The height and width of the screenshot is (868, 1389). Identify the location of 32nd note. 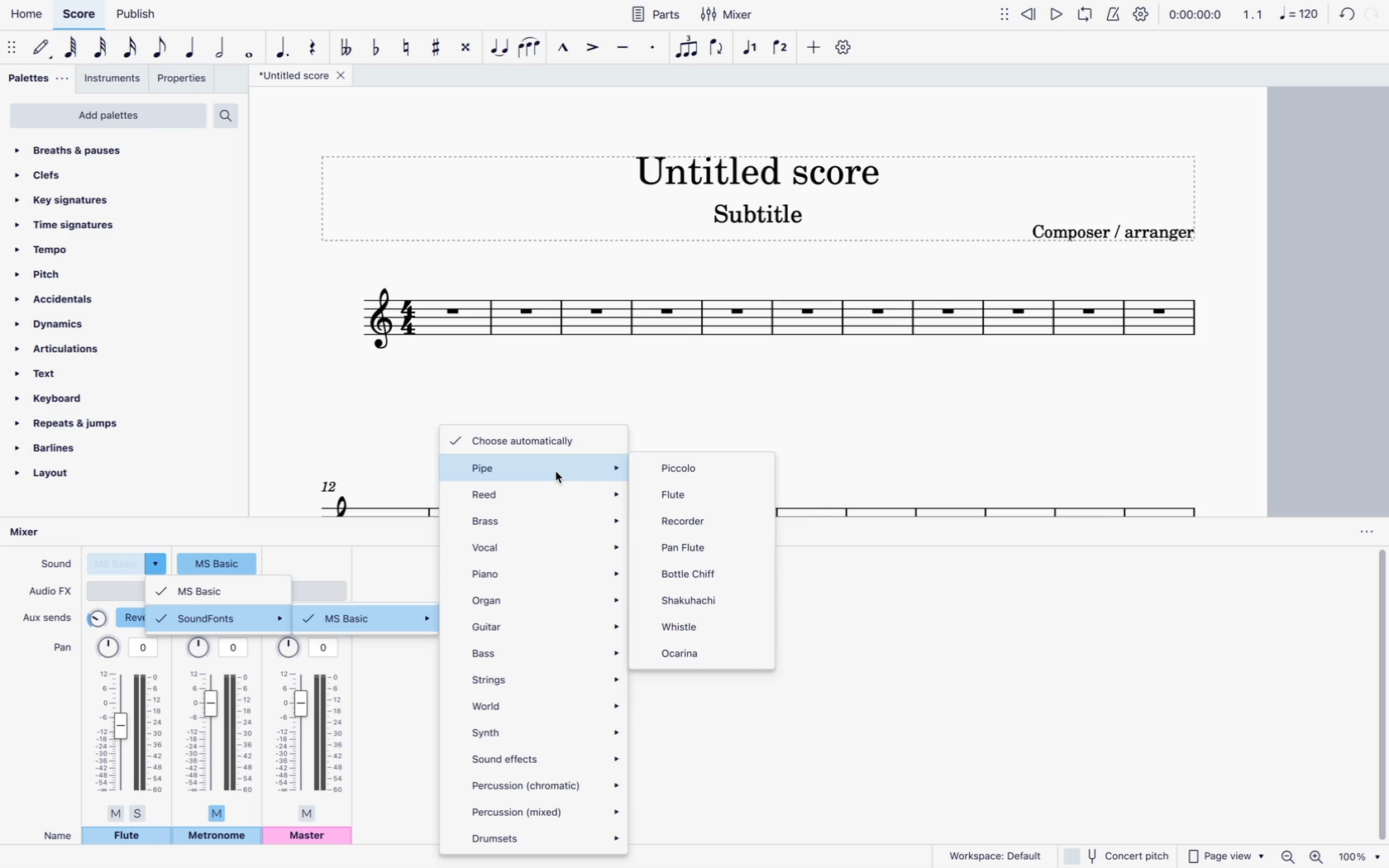
(103, 48).